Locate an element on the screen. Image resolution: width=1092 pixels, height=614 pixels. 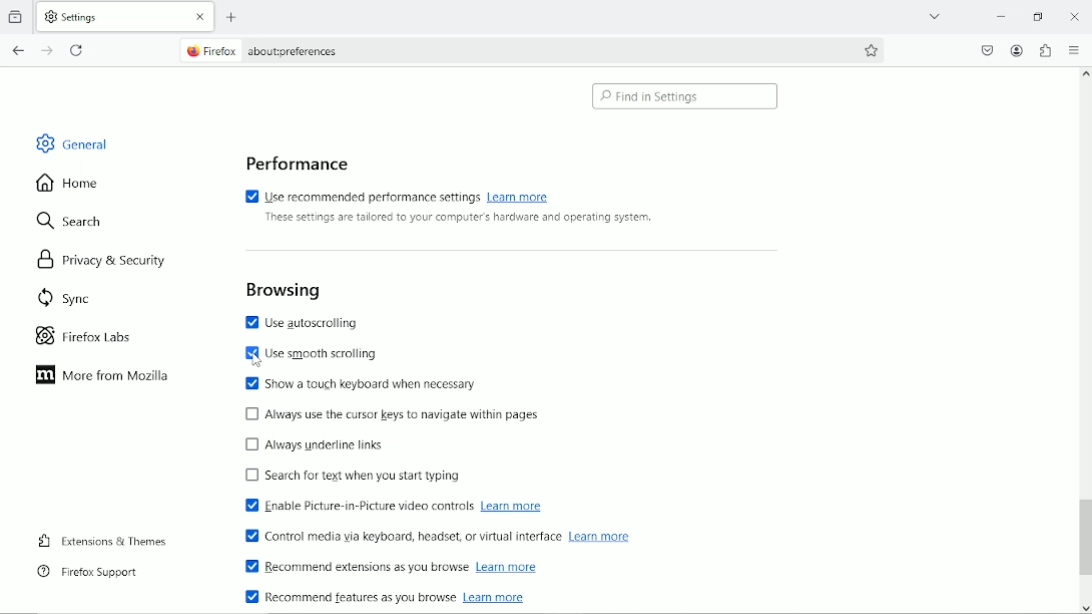
Go forward is located at coordinates (46, 50).